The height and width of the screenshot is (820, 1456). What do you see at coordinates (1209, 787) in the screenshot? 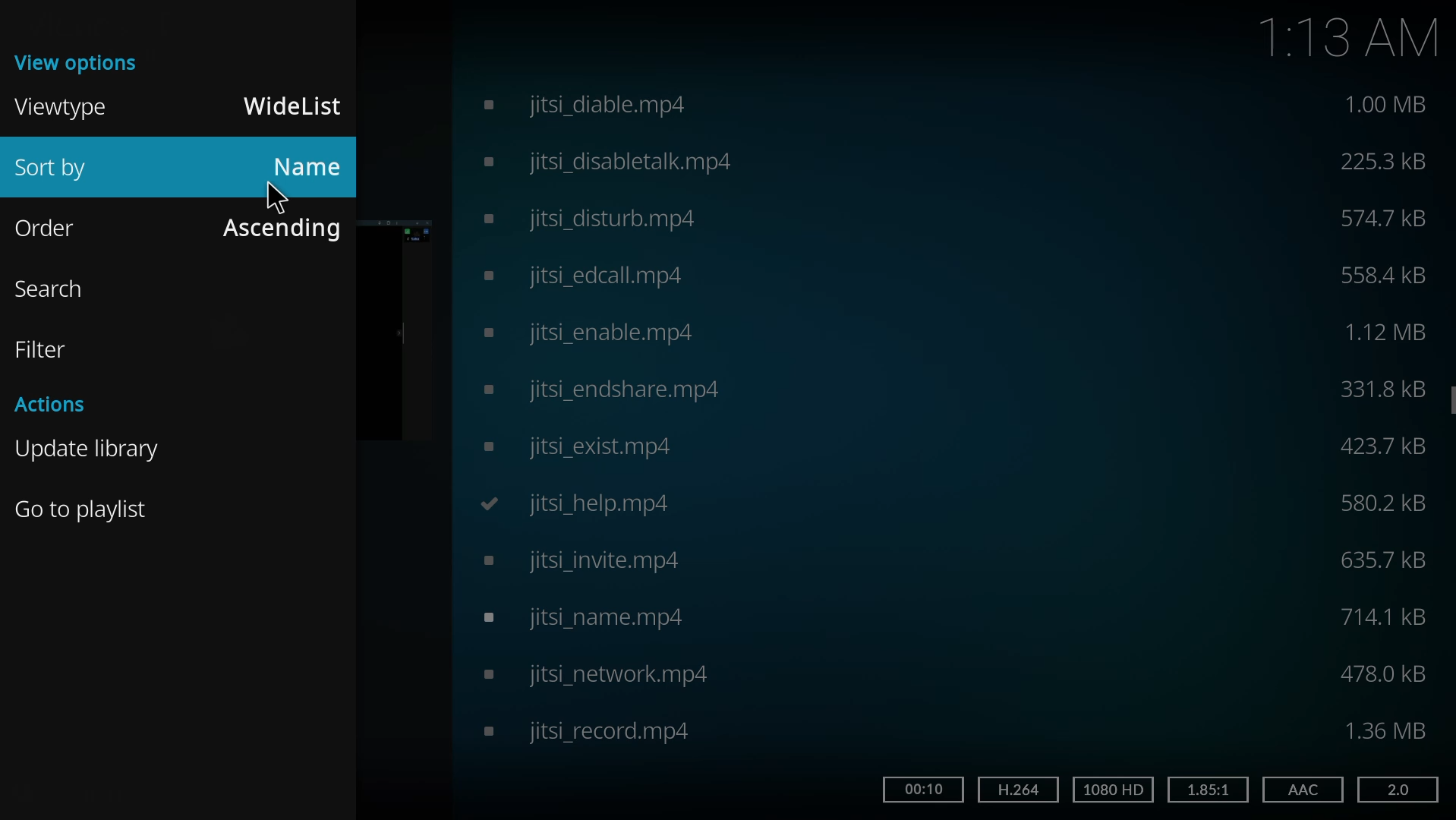
I see `1` at bounding box center [1209, 787].